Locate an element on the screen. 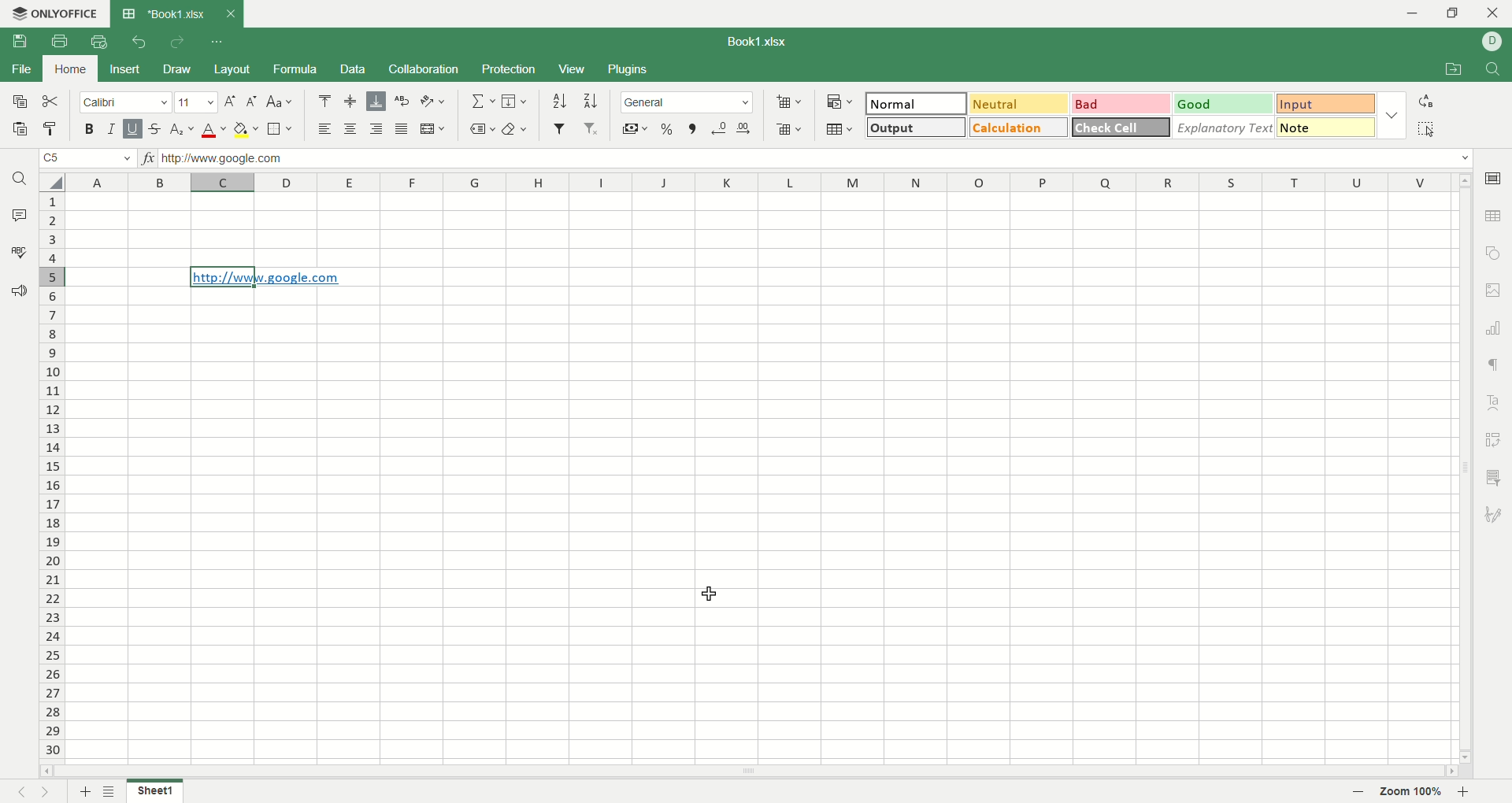 This screenshot has width=1512, height=803. filter is located at coordinates (559, 128).